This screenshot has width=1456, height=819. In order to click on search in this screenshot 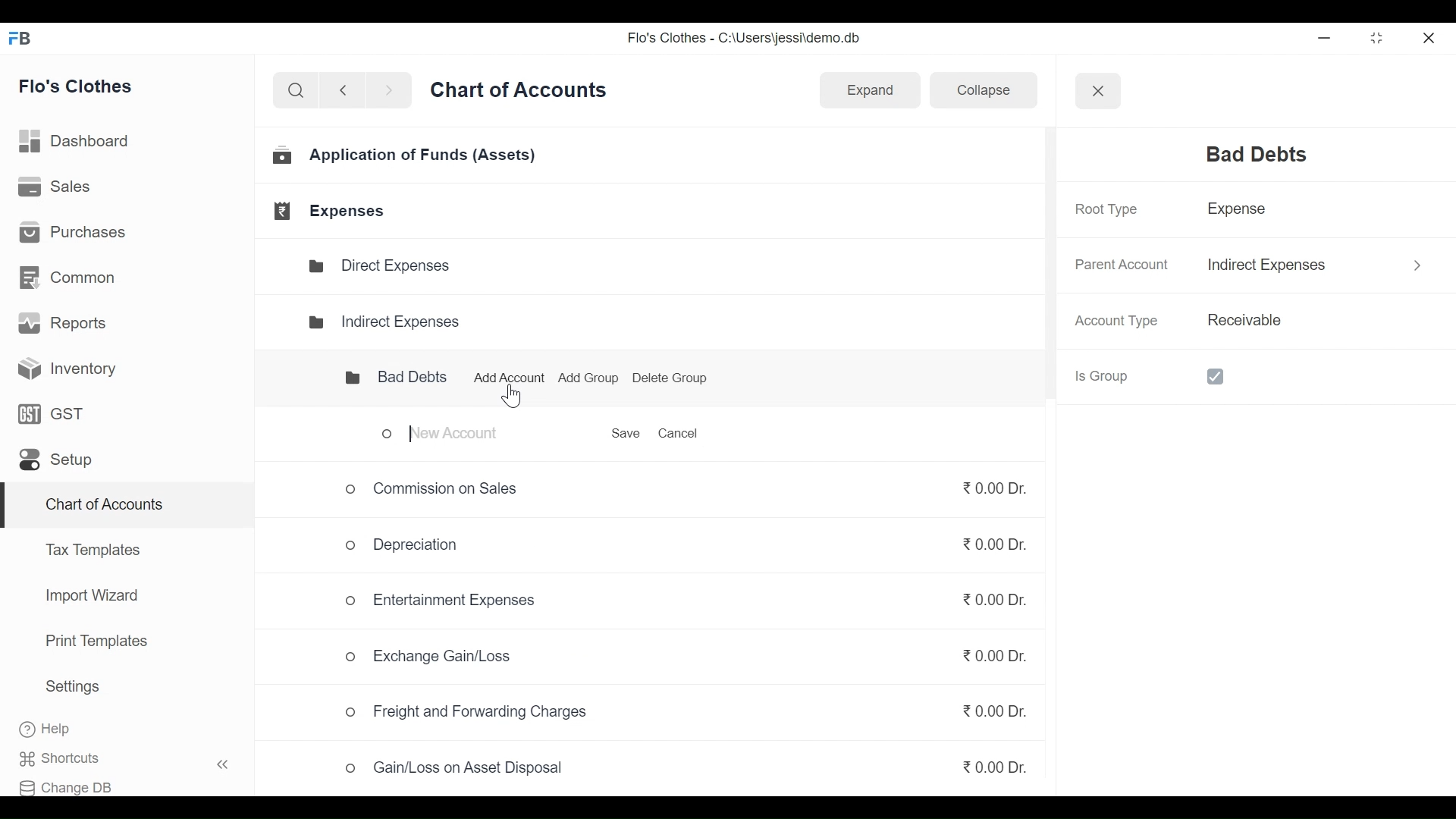, I will do `click(296, 91)`.